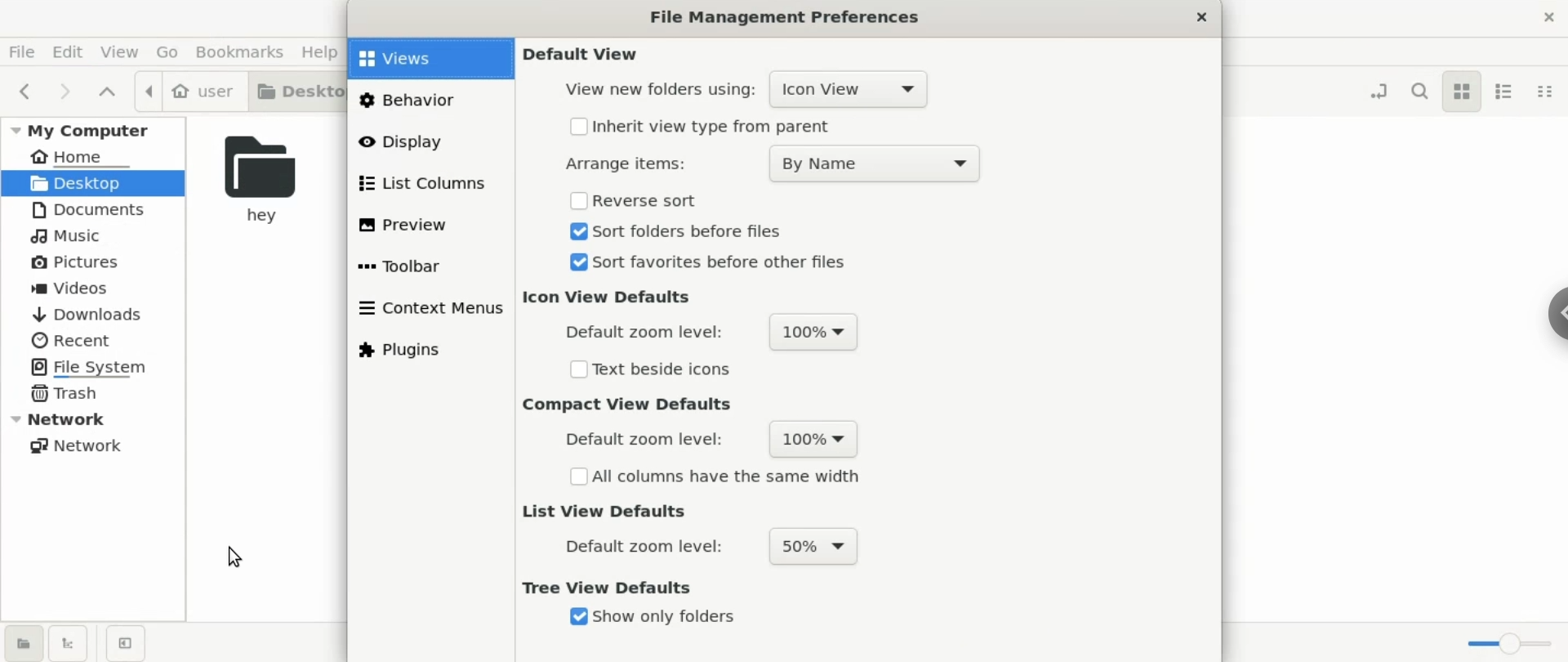 The height and width of the screenshot is (662, 1568). I want to click on File Management Preferences, so click(785, 20).